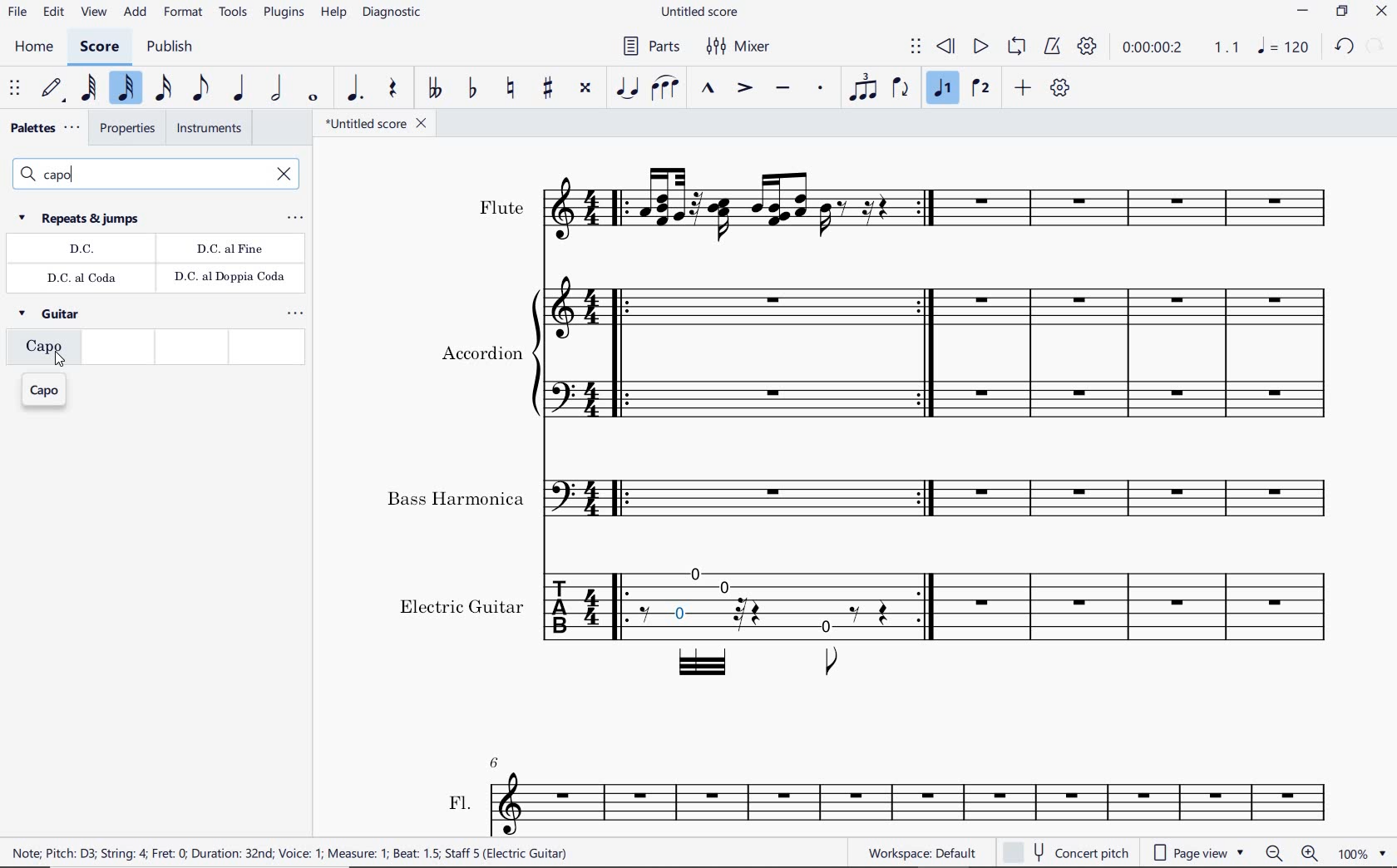 Image resolution: width=1397 pixels, height=868 pixels. Describe the element at coordinates (392, 91) in the screenshot. I see `rest` at that location.